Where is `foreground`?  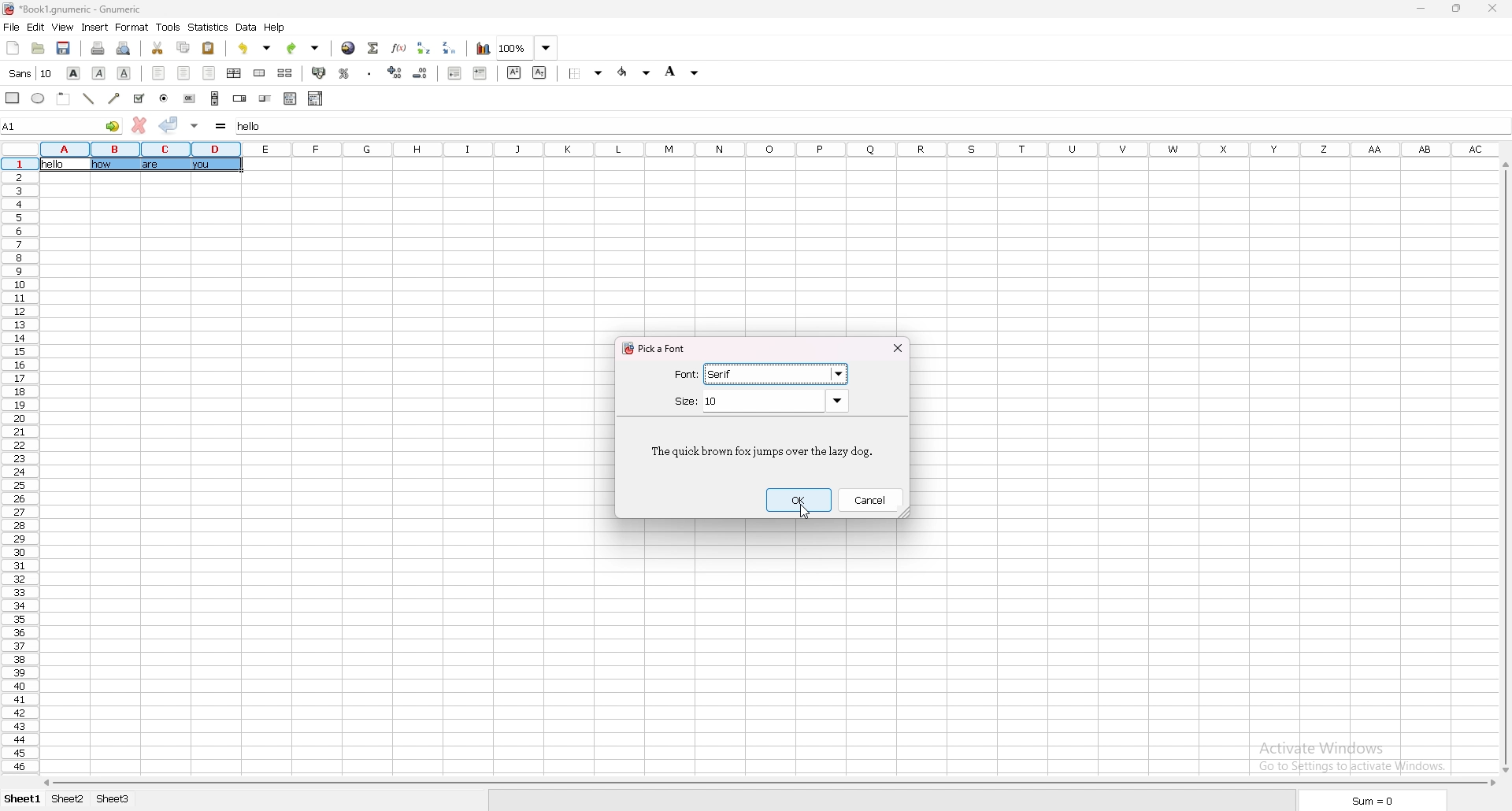 foreground is located at coordinates (634, 72).